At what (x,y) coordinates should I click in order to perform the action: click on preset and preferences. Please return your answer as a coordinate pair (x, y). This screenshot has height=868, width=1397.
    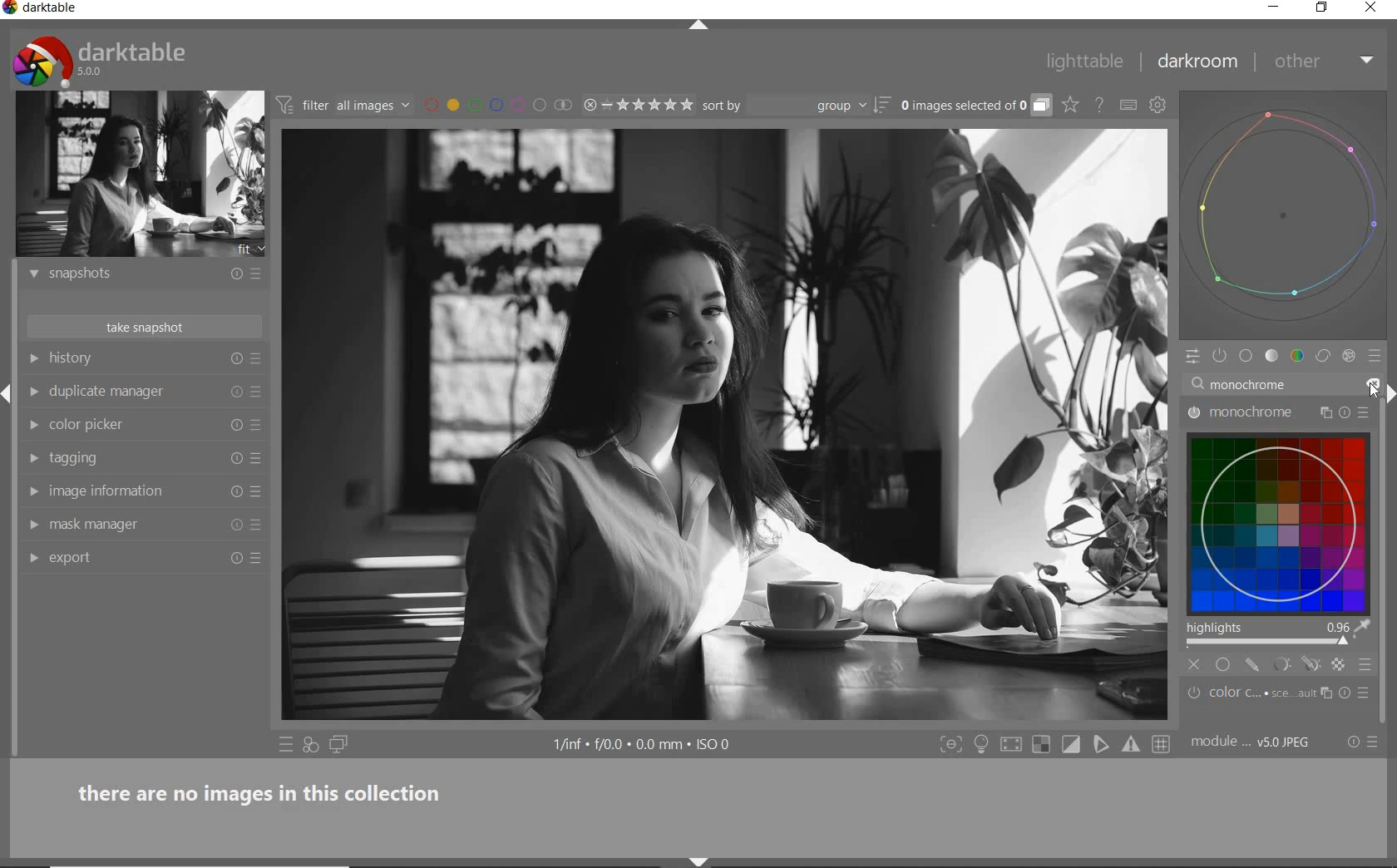
    Looking at the image, I should click on (259, 558).